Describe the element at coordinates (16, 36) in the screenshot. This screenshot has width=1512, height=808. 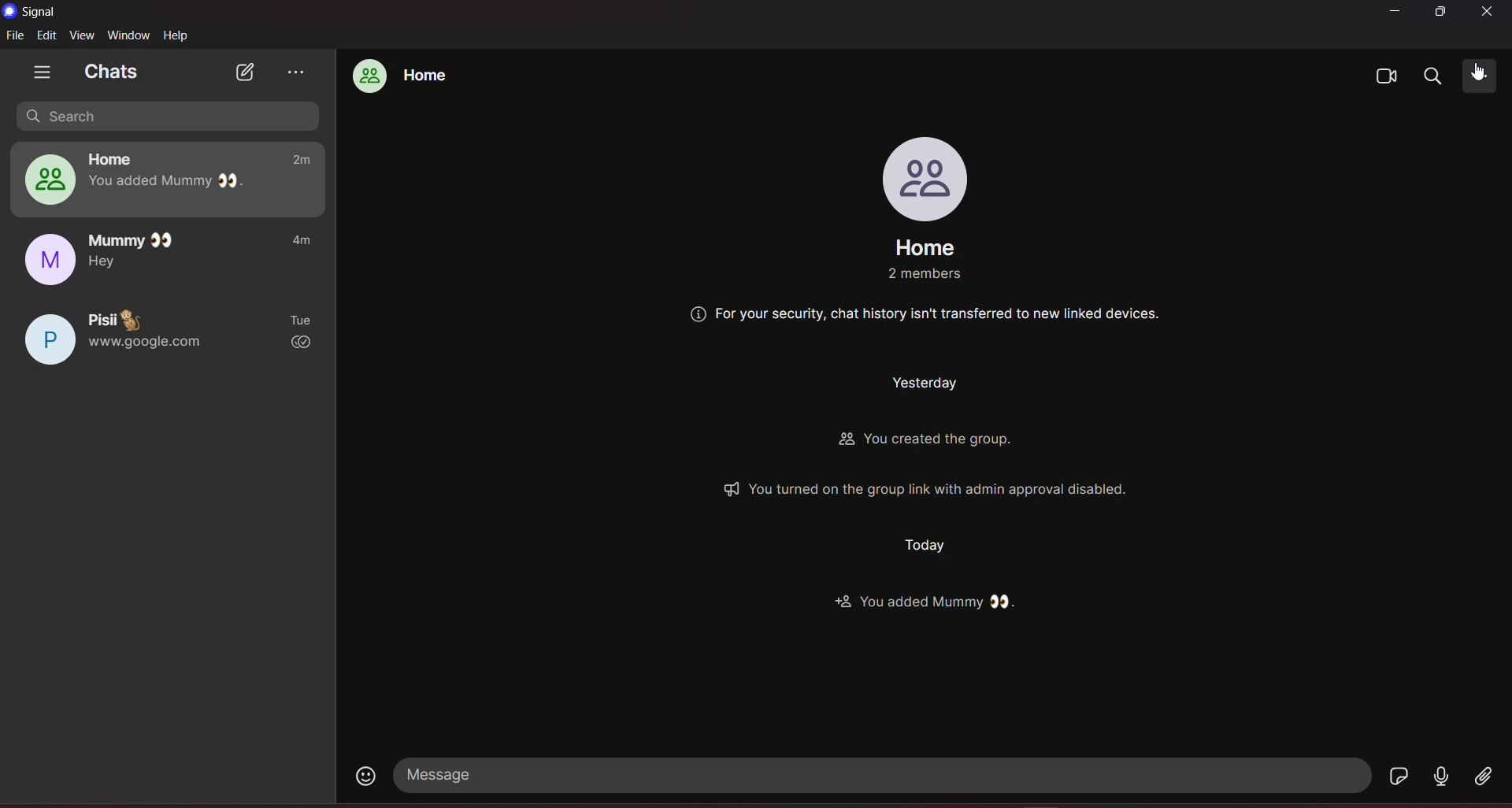
I see `file` at that location.